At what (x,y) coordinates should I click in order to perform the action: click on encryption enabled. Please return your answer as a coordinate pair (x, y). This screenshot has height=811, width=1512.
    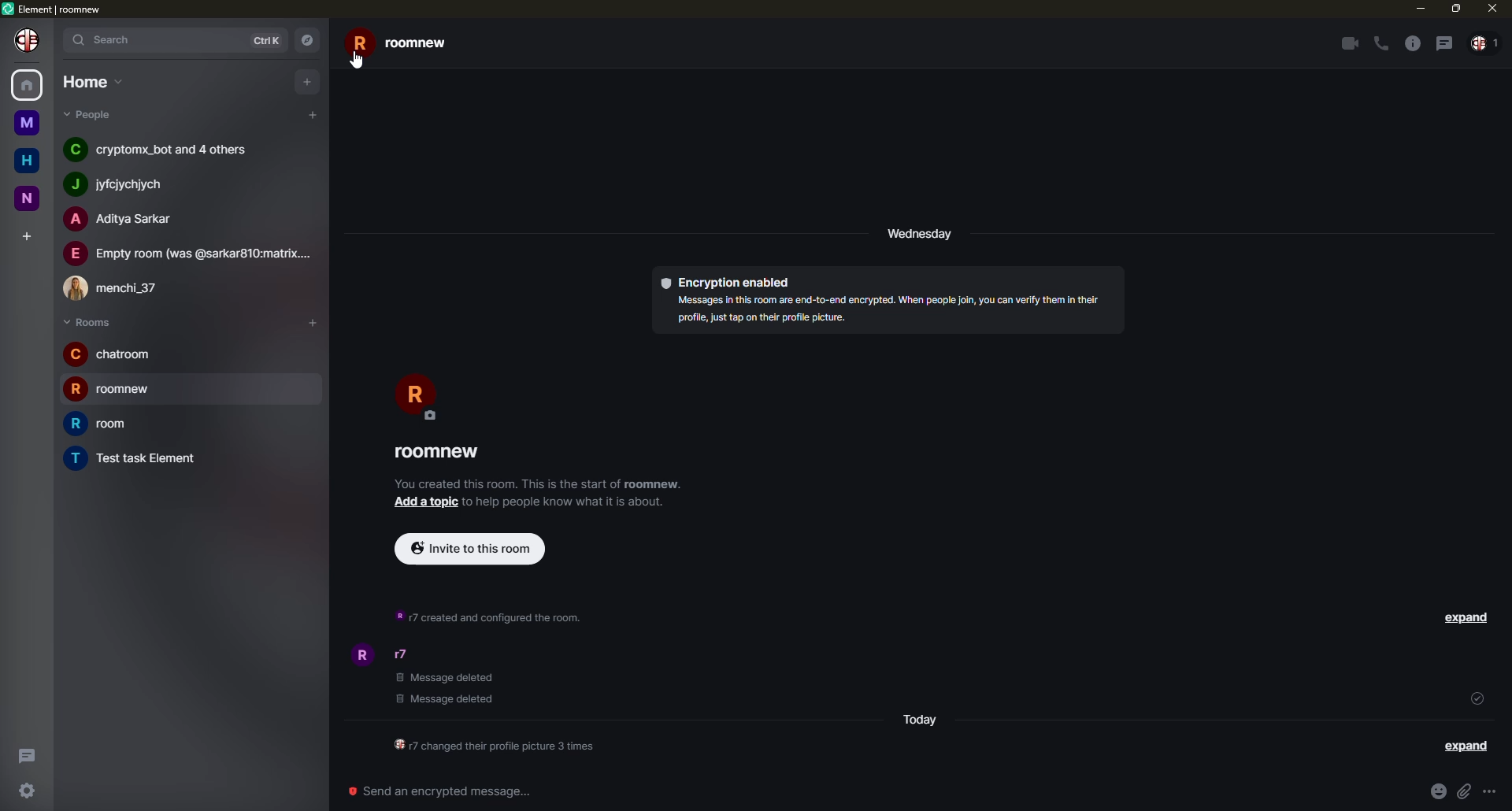
    Looking at the image, I should click on (728, 283).